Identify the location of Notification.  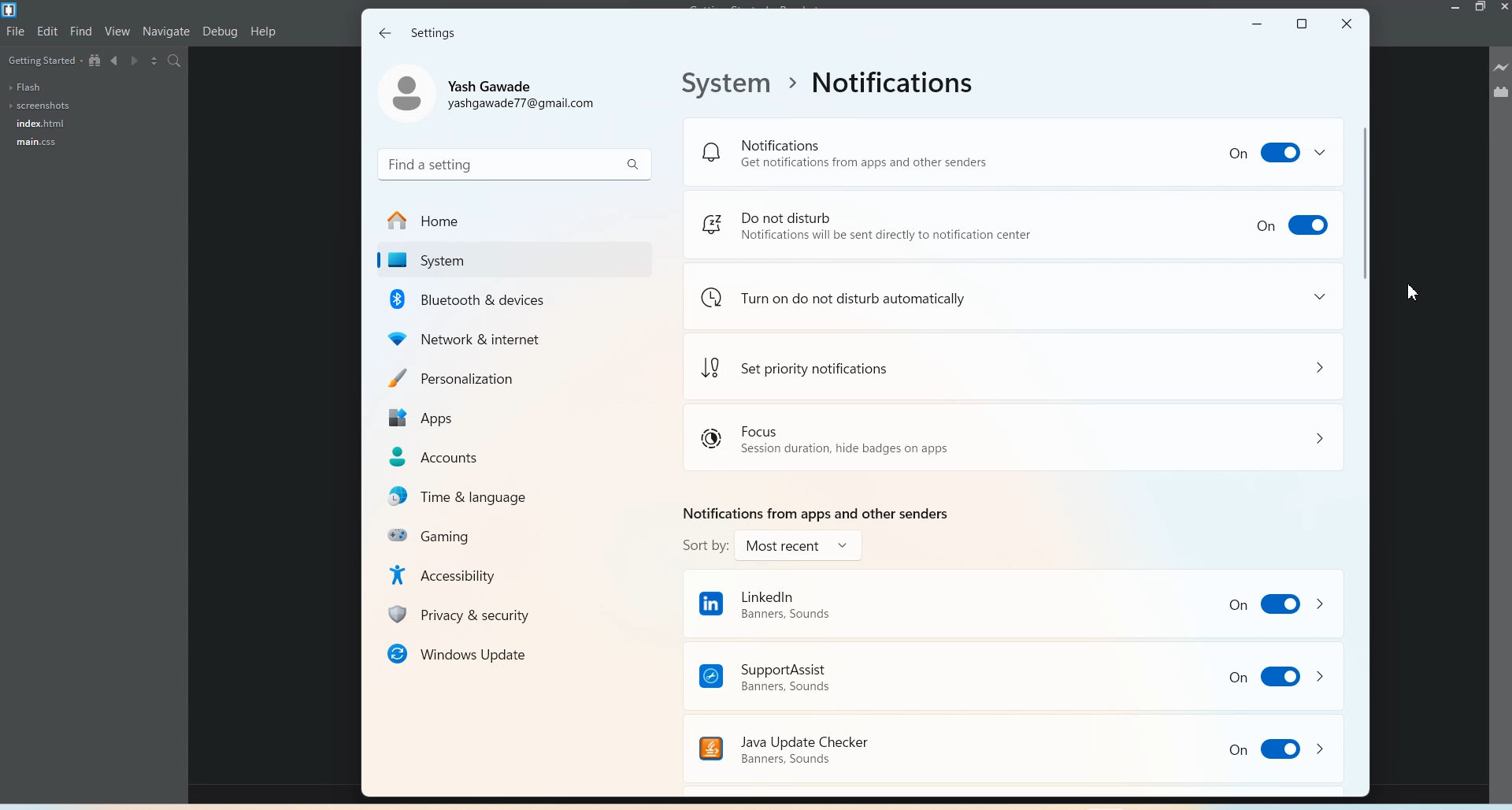
(932, 152).